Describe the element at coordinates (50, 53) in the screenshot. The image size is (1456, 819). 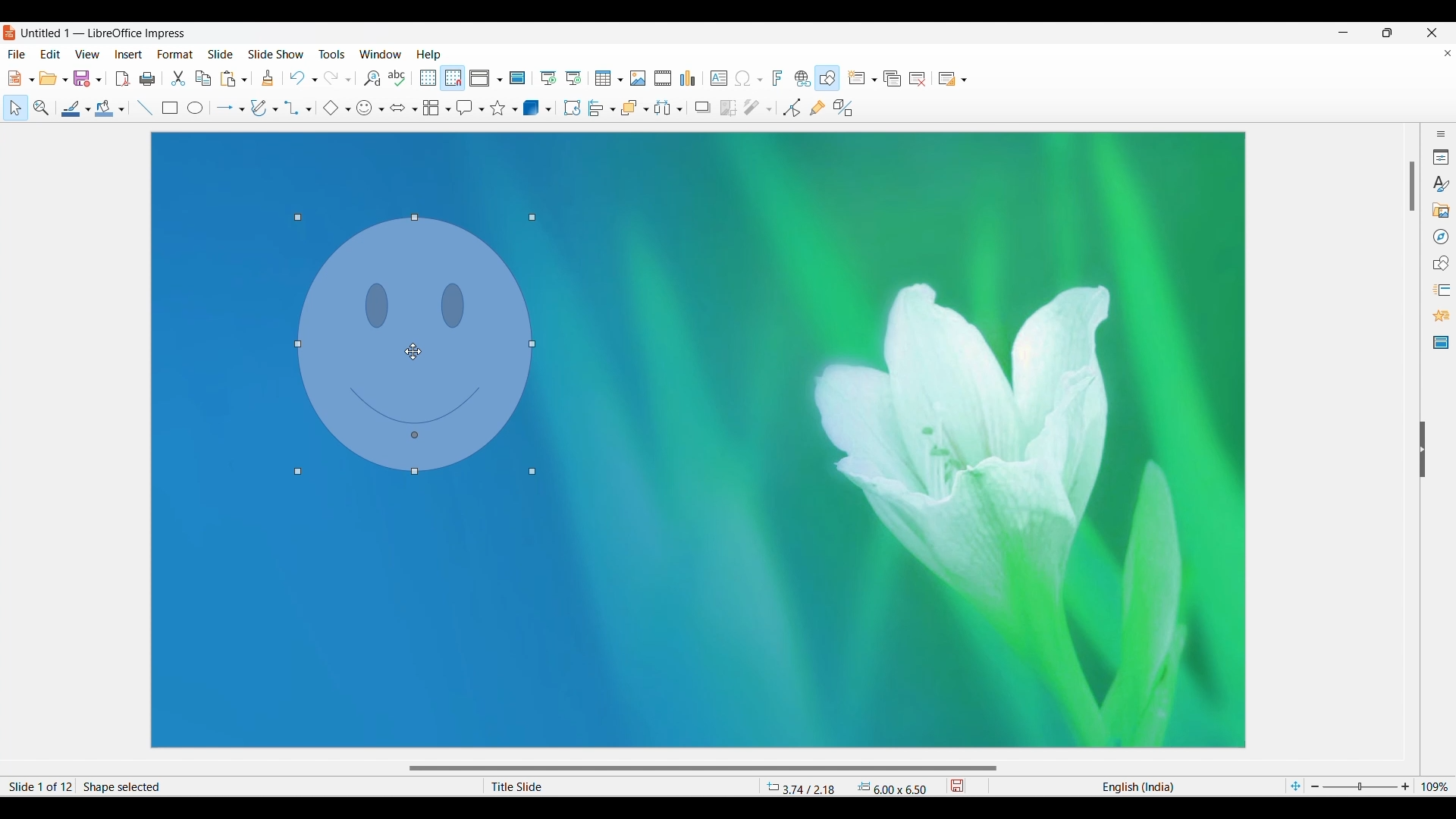
I see `Edit` at that location.